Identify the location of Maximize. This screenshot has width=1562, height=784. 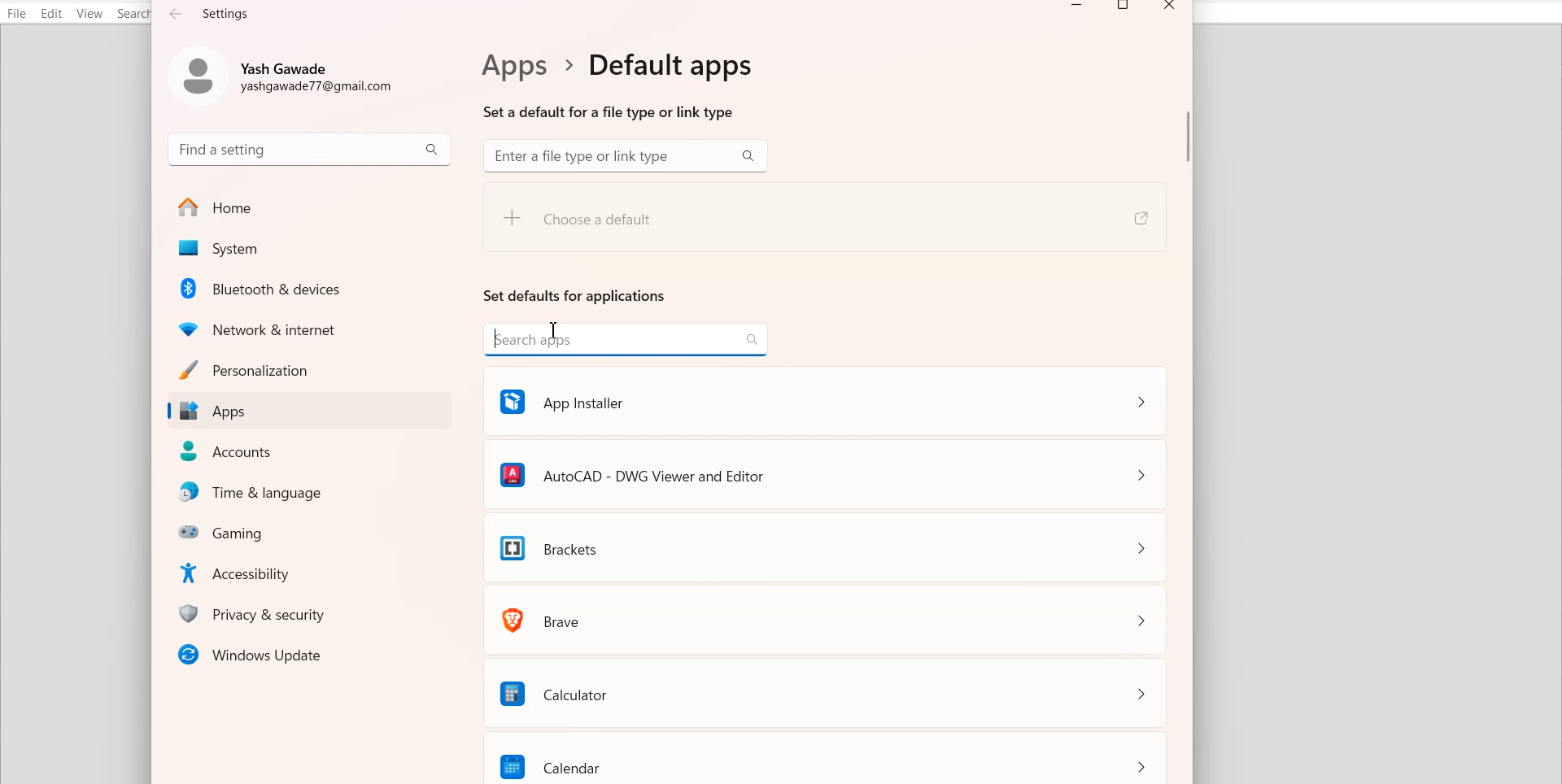
(1125, 8).